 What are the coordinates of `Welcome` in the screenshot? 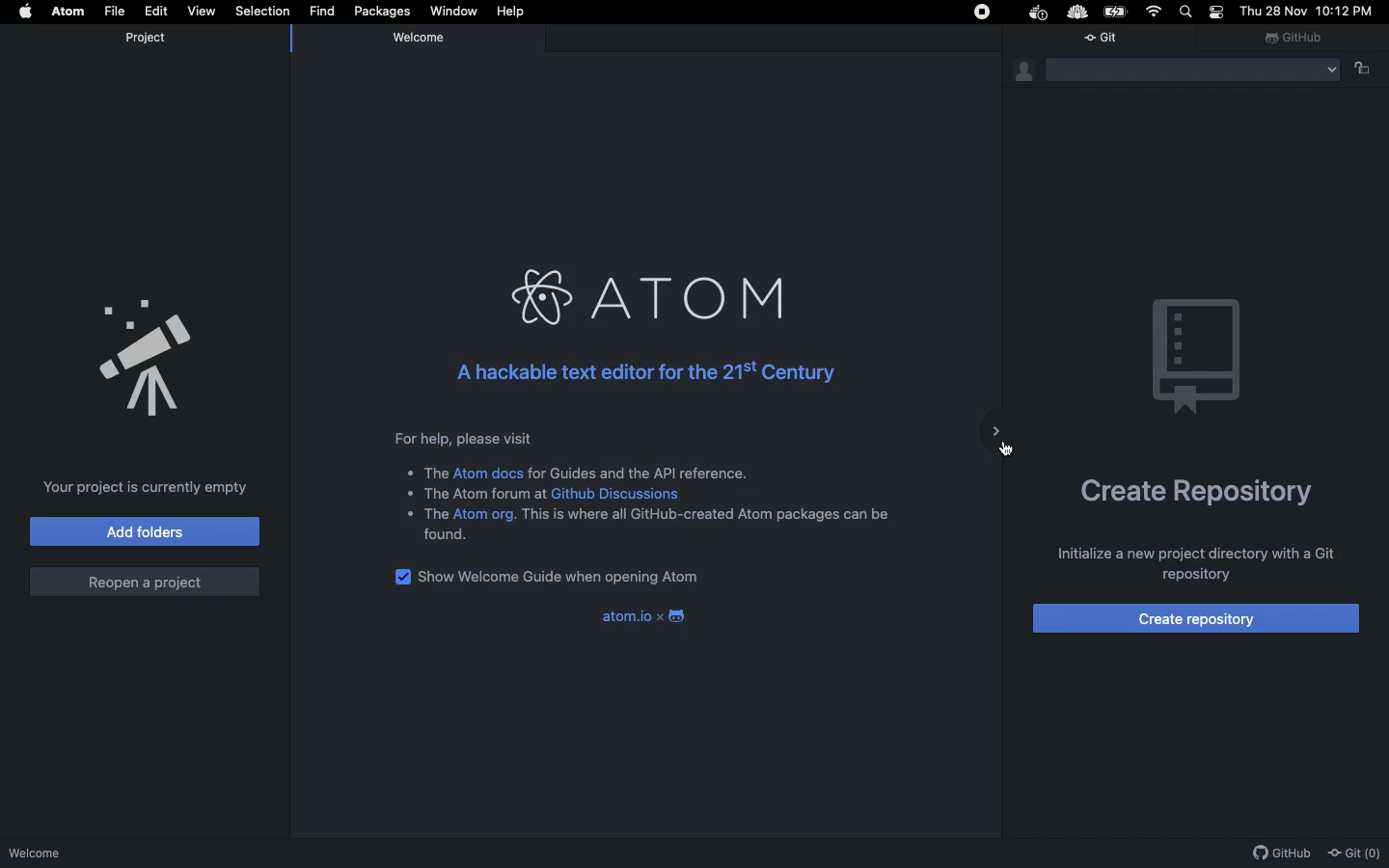 It's located at (91, 853).